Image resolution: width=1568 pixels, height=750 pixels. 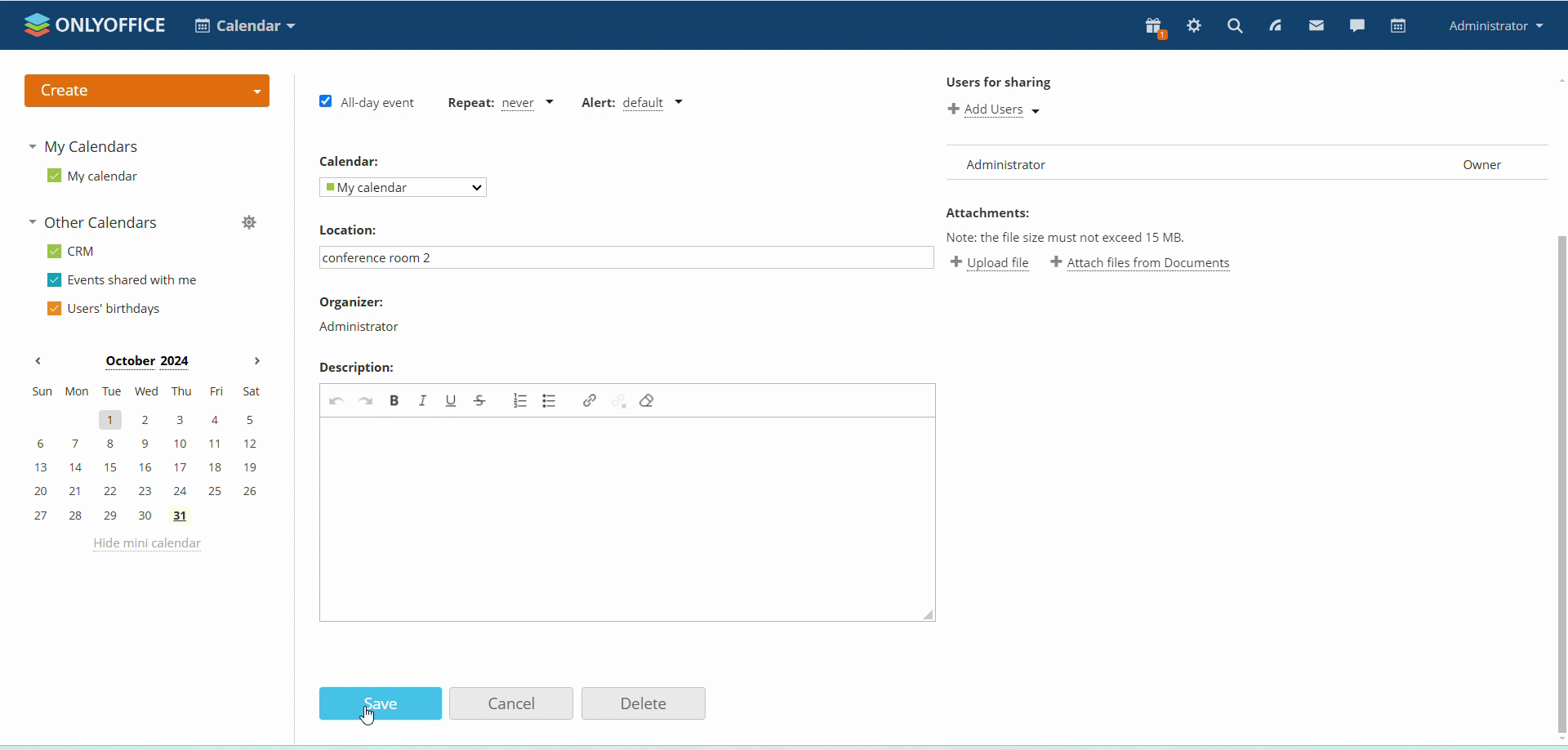 What do you see at coordinates (479, 400) in the screenshot?
I see `strikethrough` at bounding box center [479, 400].